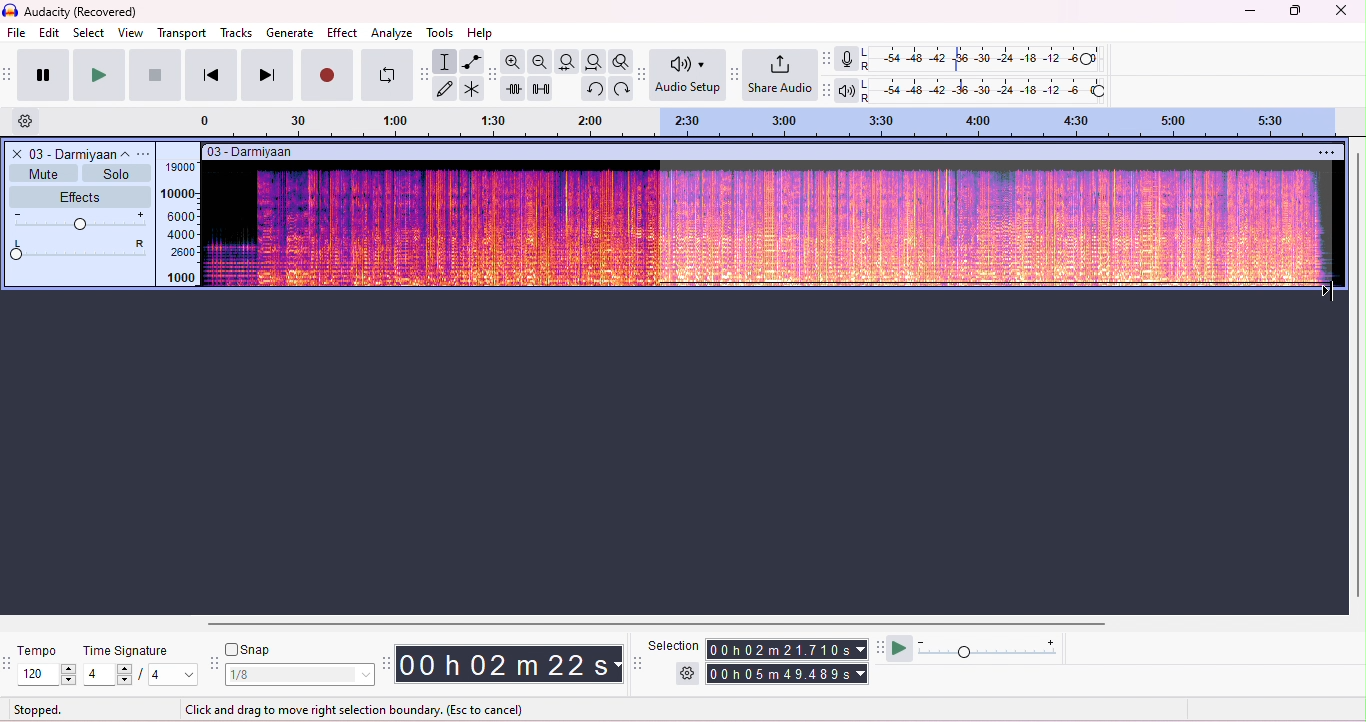 The image size is (1366, 722). What do you see at coordinates (1324, 288) in the screenshot?
I see `cursor movement` at bounding box center [1324, 288].